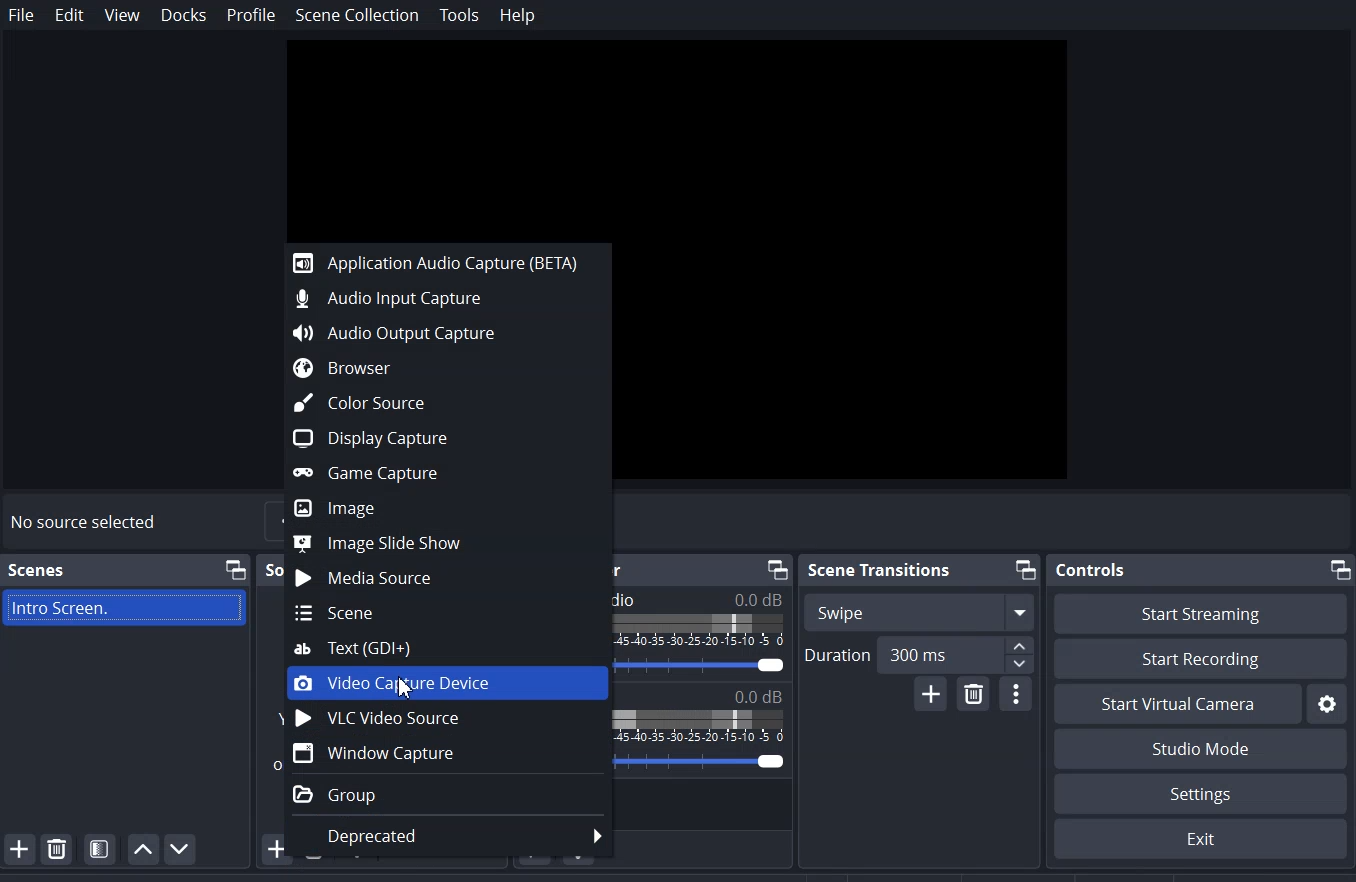 The image size is (1356, 882). Describe the element at coordinates (36, 569) in the screenshot. I see `Scene` at that location.